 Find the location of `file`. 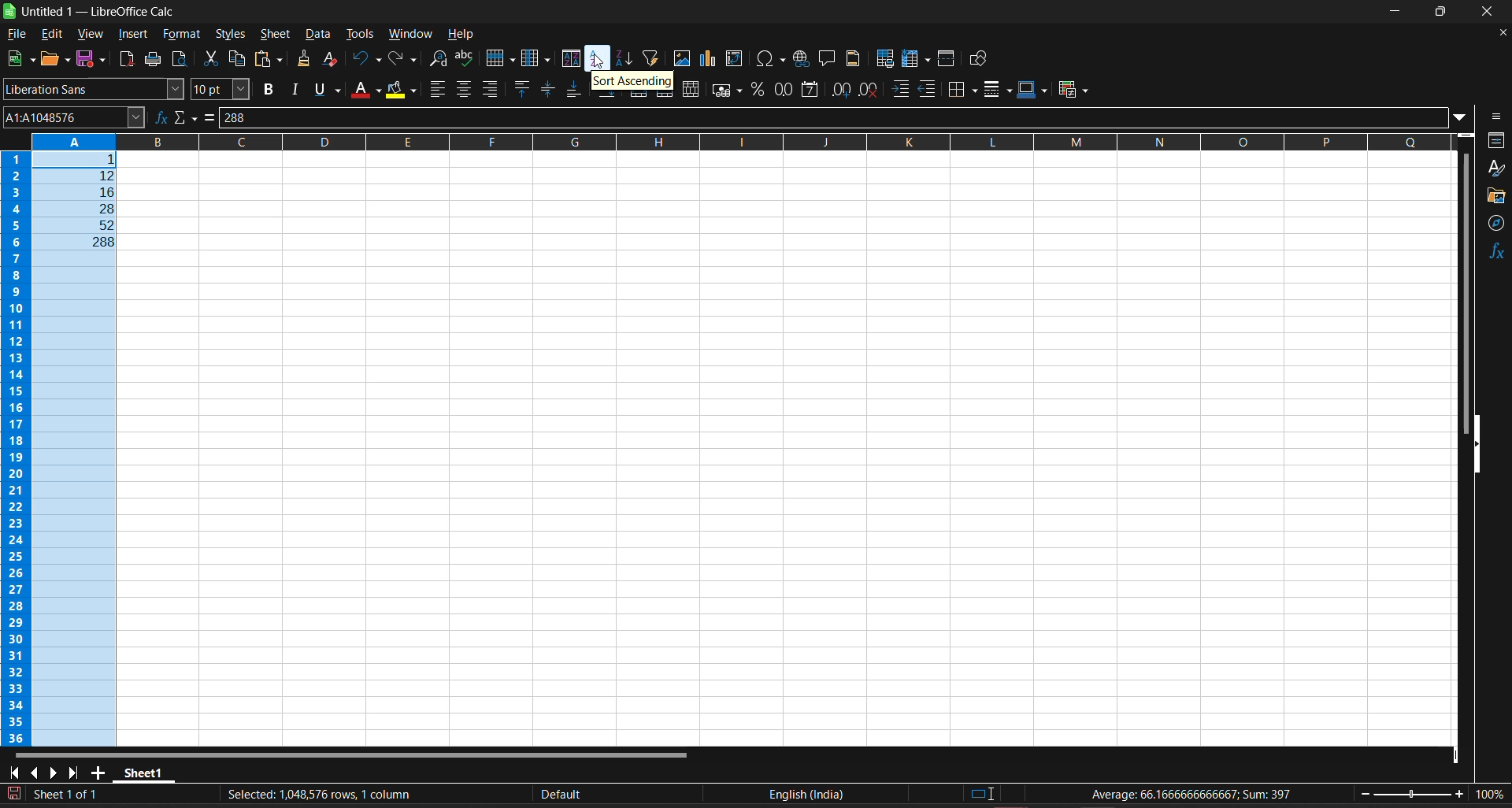

file is located at coordinates (17, 34).